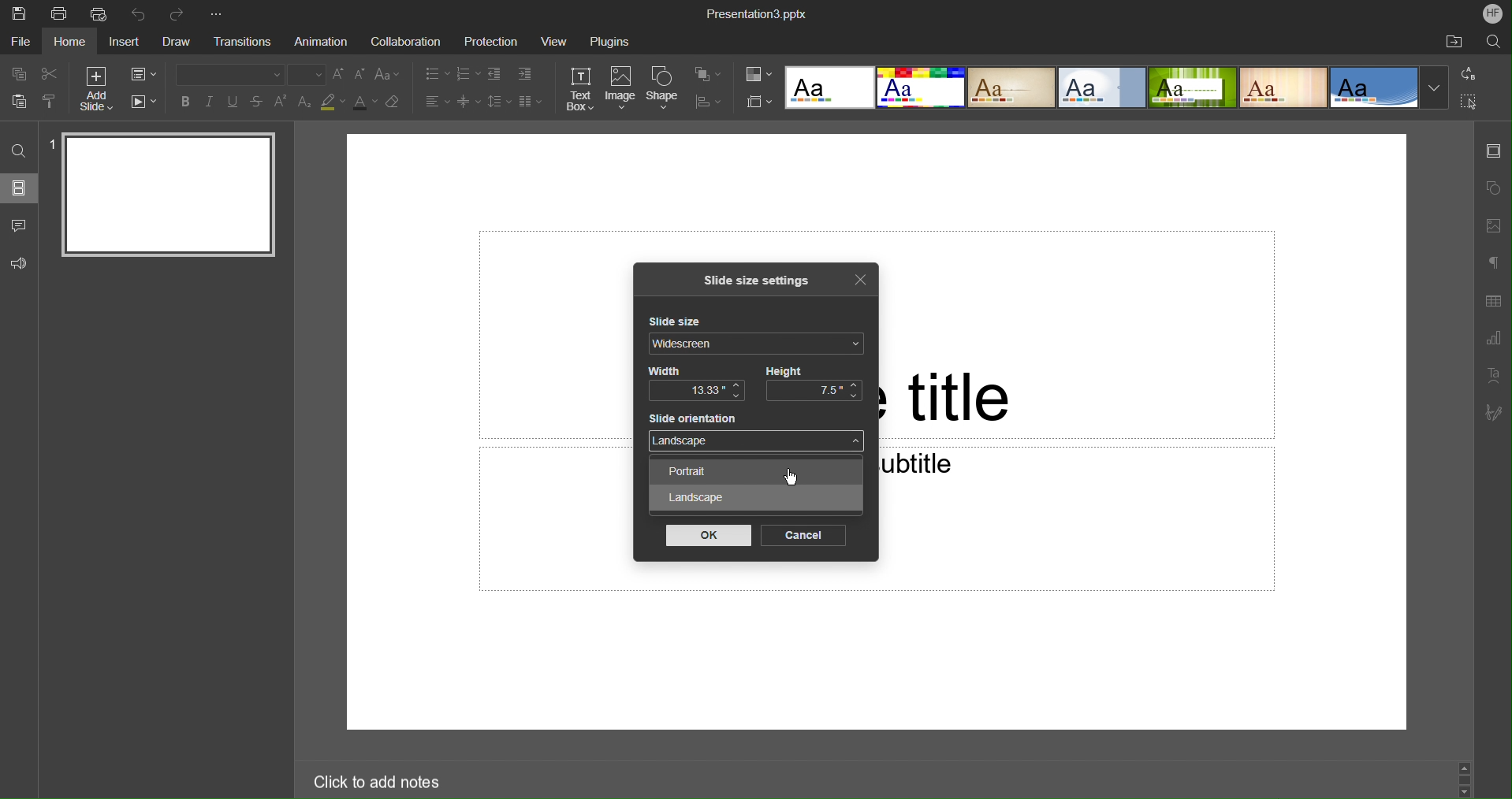  I want to click on Slide orientation, so click(698, 418).